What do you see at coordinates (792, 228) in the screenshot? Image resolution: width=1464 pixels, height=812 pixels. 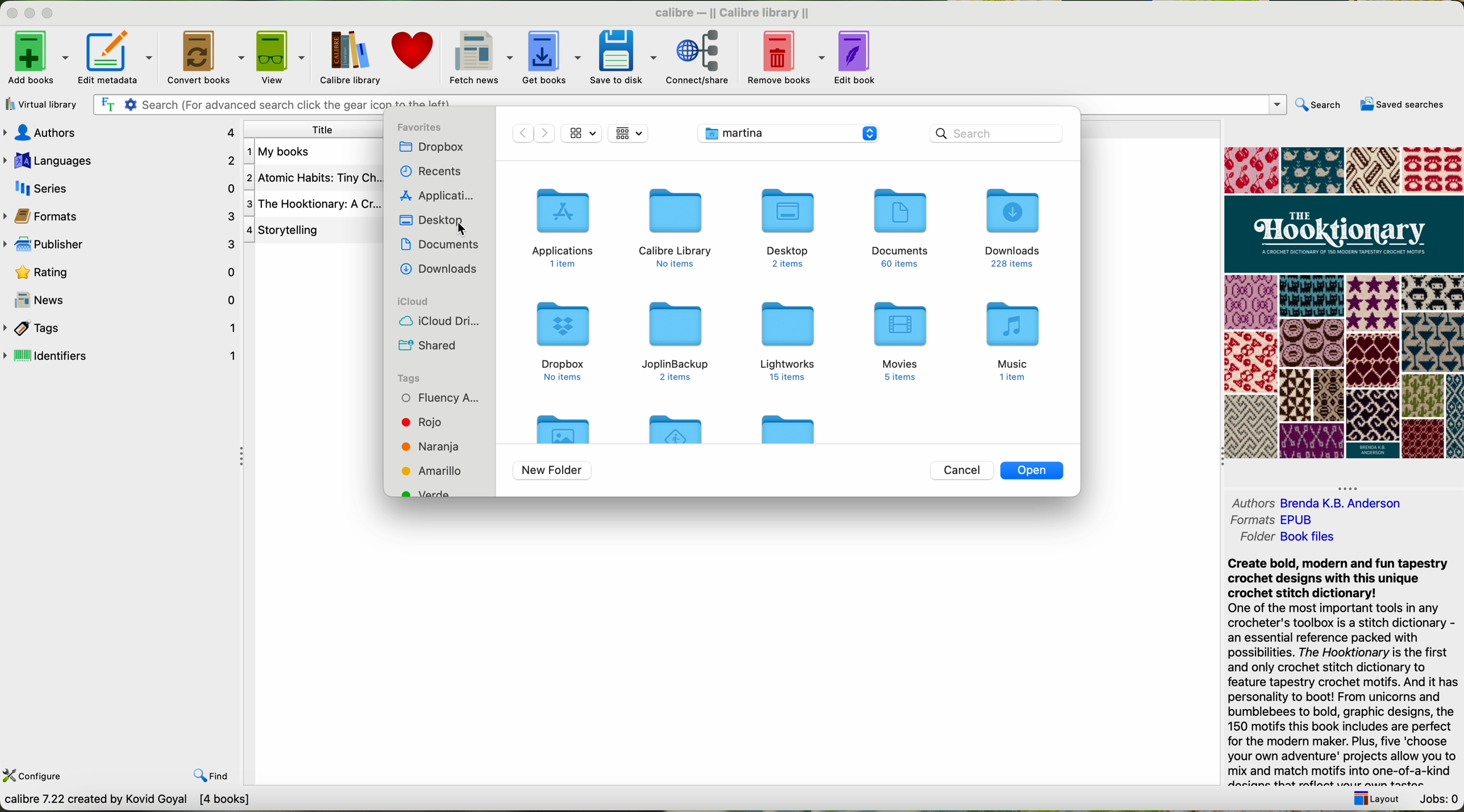 I see `desktop folder` at bounding box center [792, 228].